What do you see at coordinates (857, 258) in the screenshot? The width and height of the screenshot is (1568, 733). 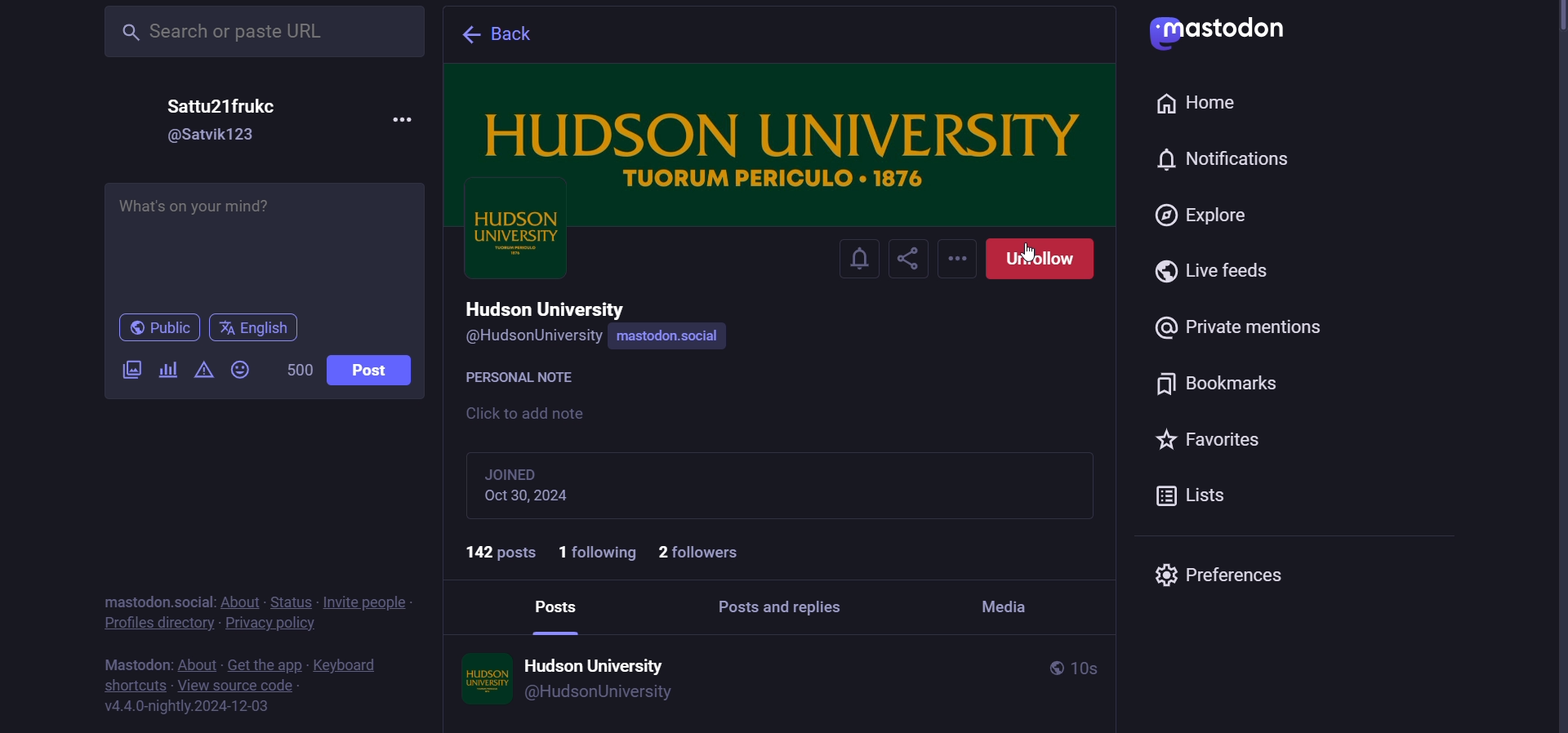 I see `notification` at bounding box center [857, 258].